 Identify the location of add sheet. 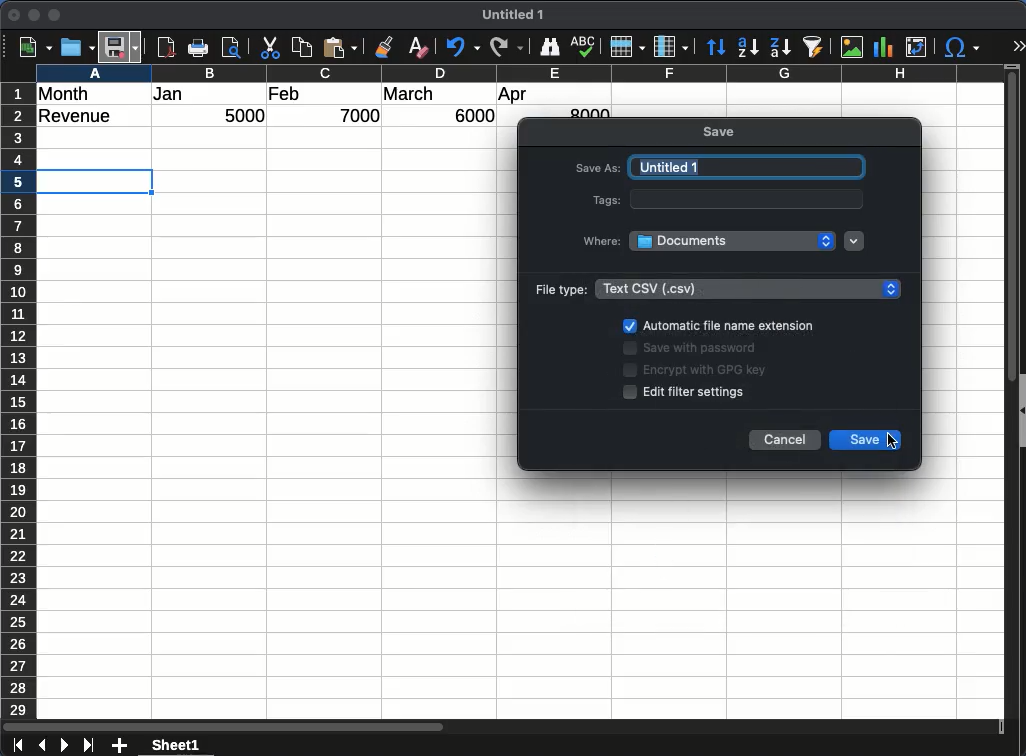
(121, 746).